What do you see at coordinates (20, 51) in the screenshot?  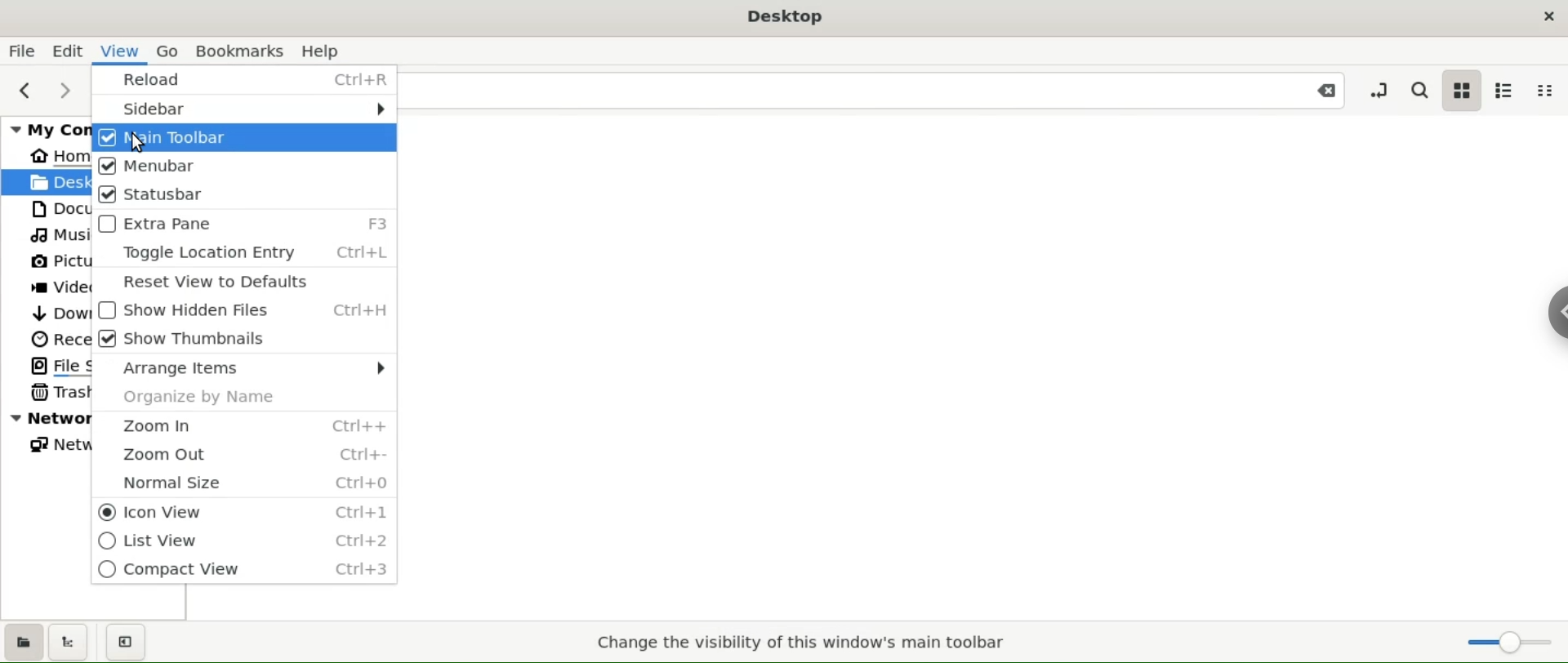 I see `file` at bounding box center [20, 51].